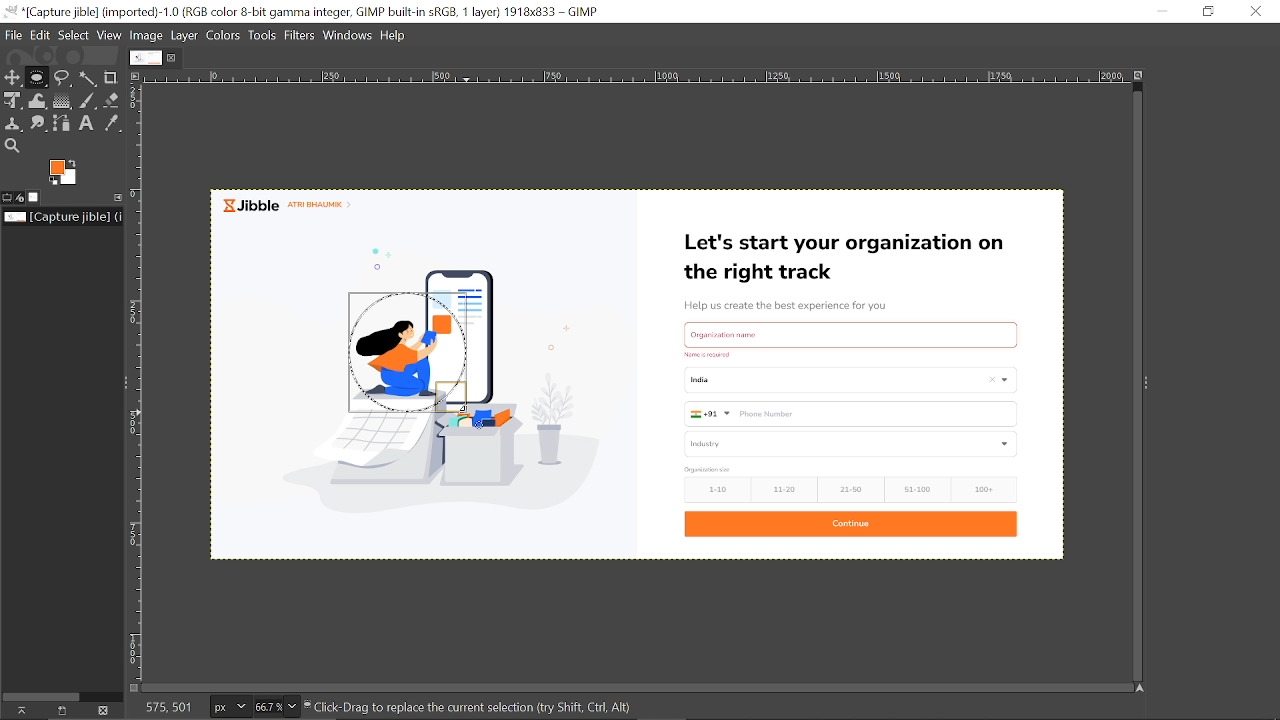 Image resolution: width=1280 pixels, height=720 pixels. What do you see at coordinates (41, 35) in the screenshot?
I see `Edit` at bounding box center [41, 35].